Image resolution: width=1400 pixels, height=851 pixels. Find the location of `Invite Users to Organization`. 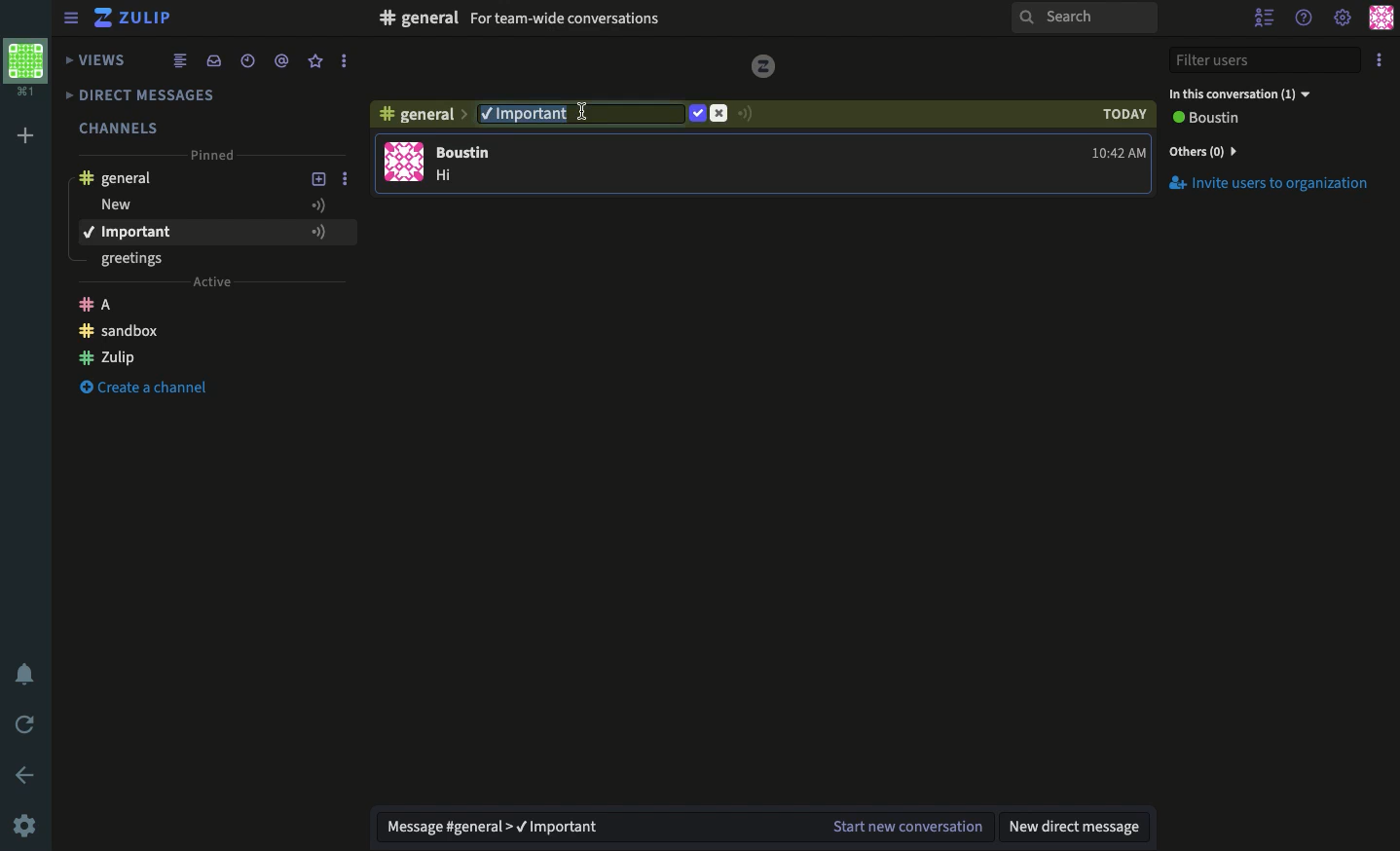

Invite Users to Organization is located at coordinates (1271, 185).